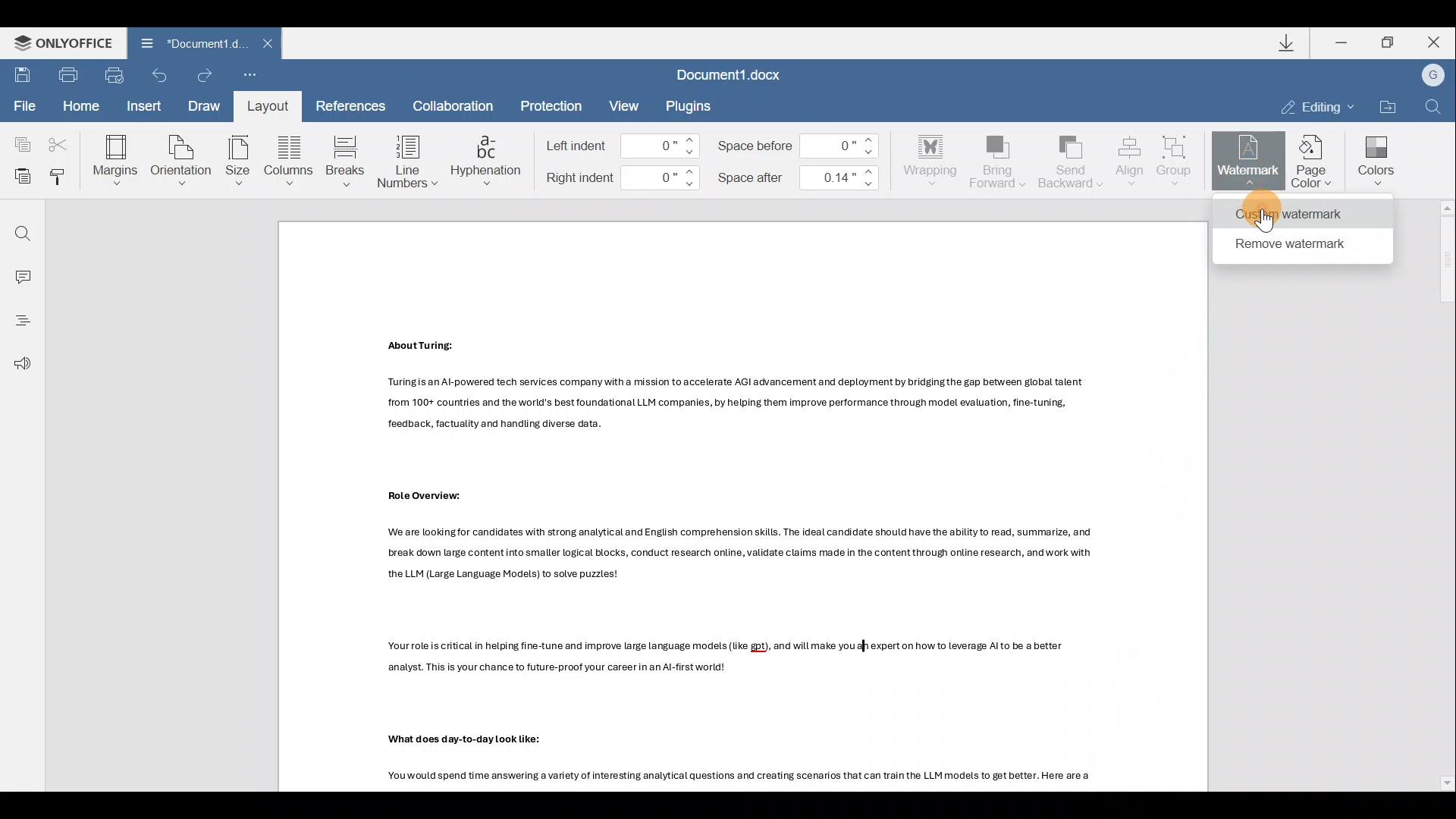  I want to click on Find, so click(21, 229).